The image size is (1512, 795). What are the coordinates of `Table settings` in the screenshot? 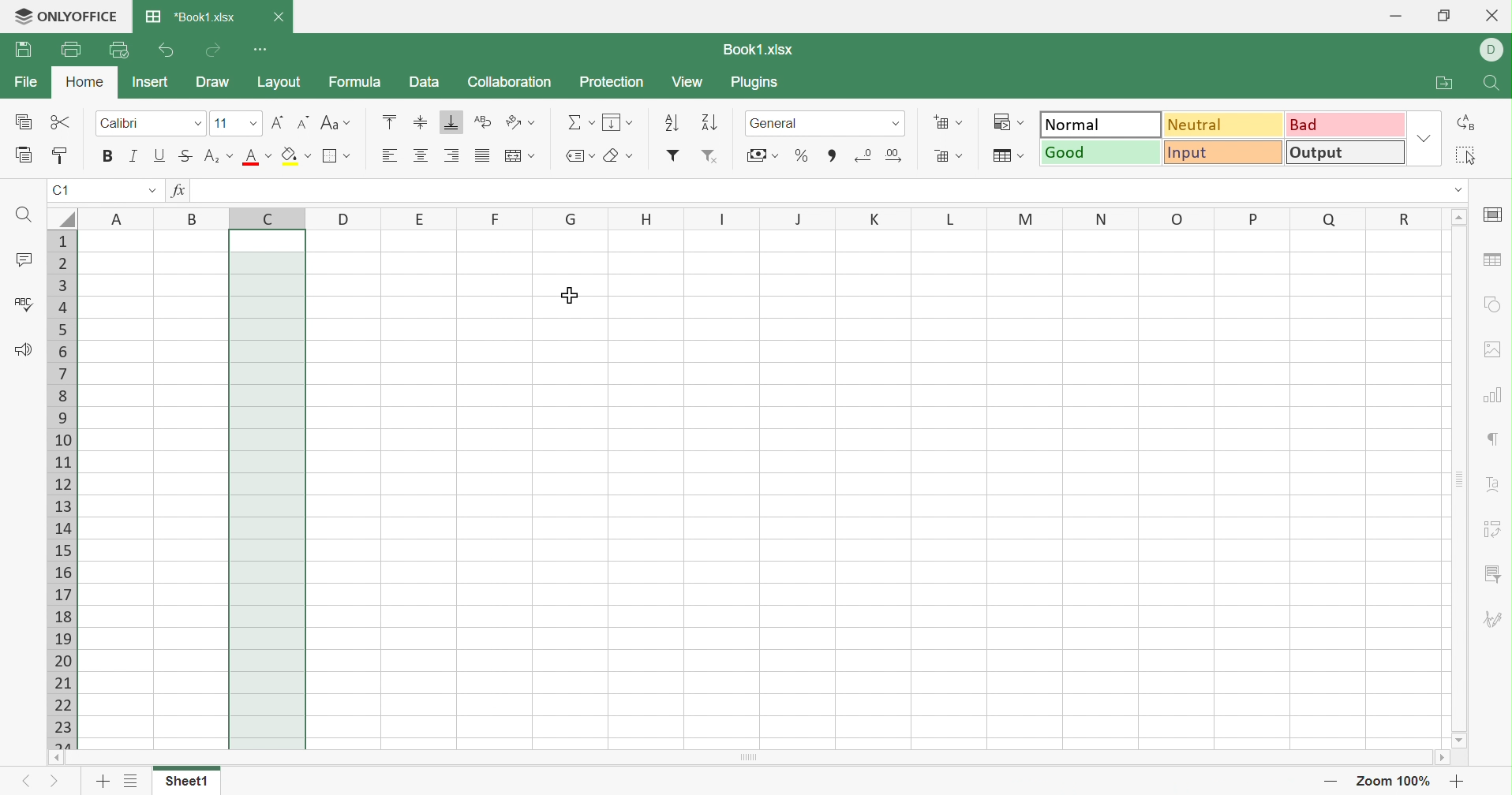 It's located at (1495, 259).